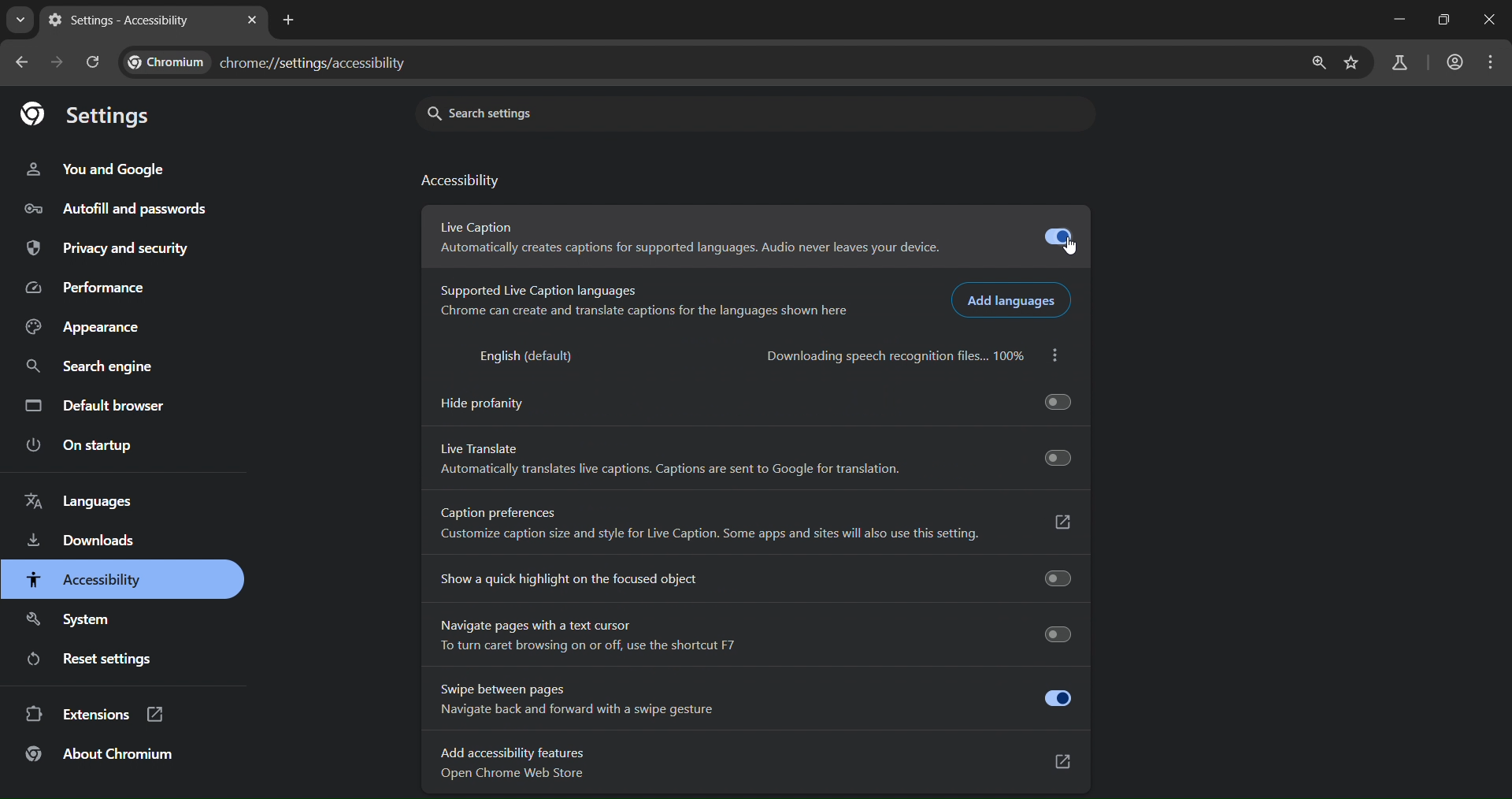 Image resolution: width=1512 pixels, height=799 pixels. I want to click on chrome://settings/accessibility, so click(278, 60).